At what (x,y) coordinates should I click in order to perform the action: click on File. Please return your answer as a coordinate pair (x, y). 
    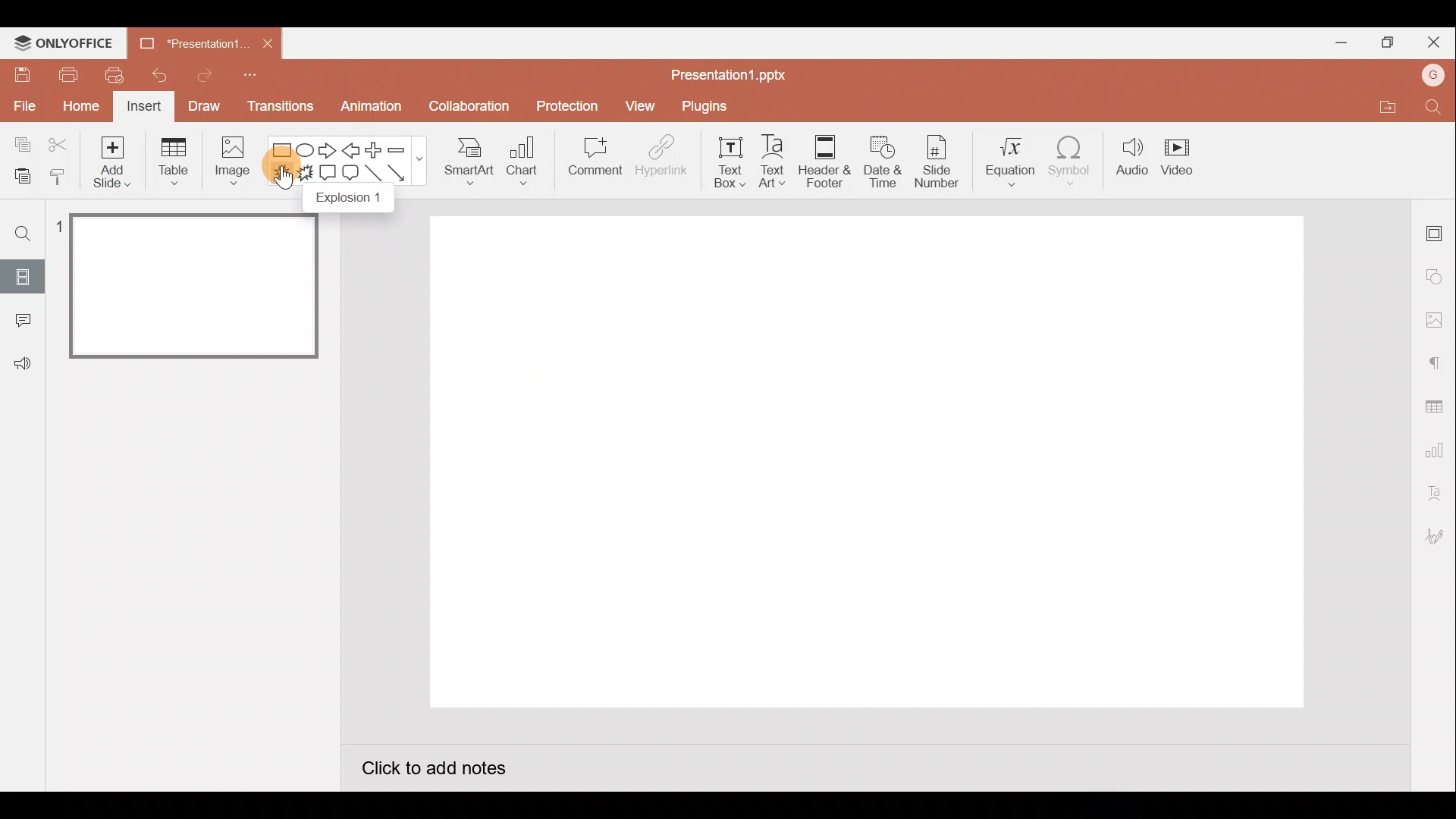
    Looking at the image, I should click on (23, 108).